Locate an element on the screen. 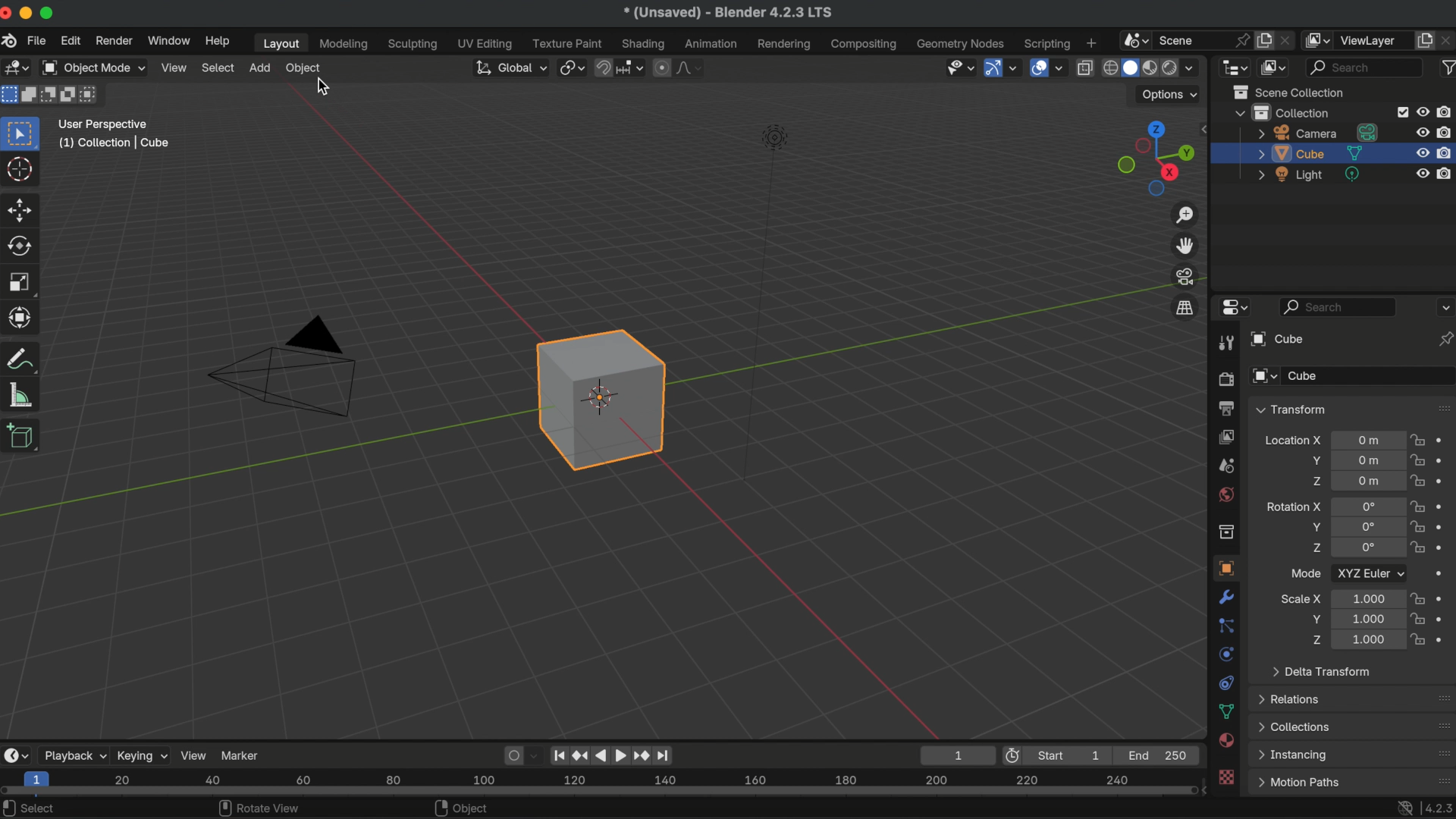  view is located at coordinates (194, 755).